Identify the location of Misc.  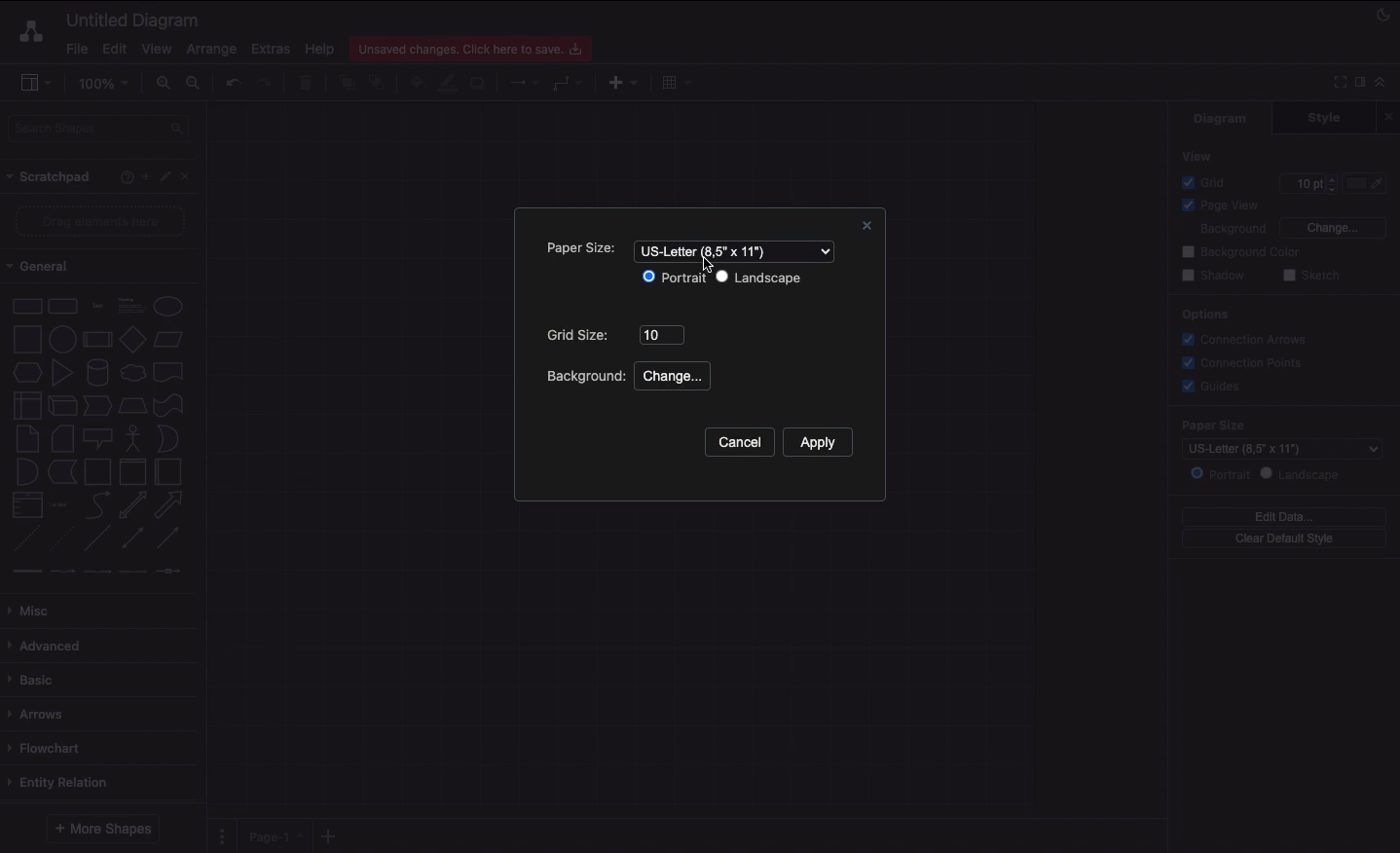
(34, 611).